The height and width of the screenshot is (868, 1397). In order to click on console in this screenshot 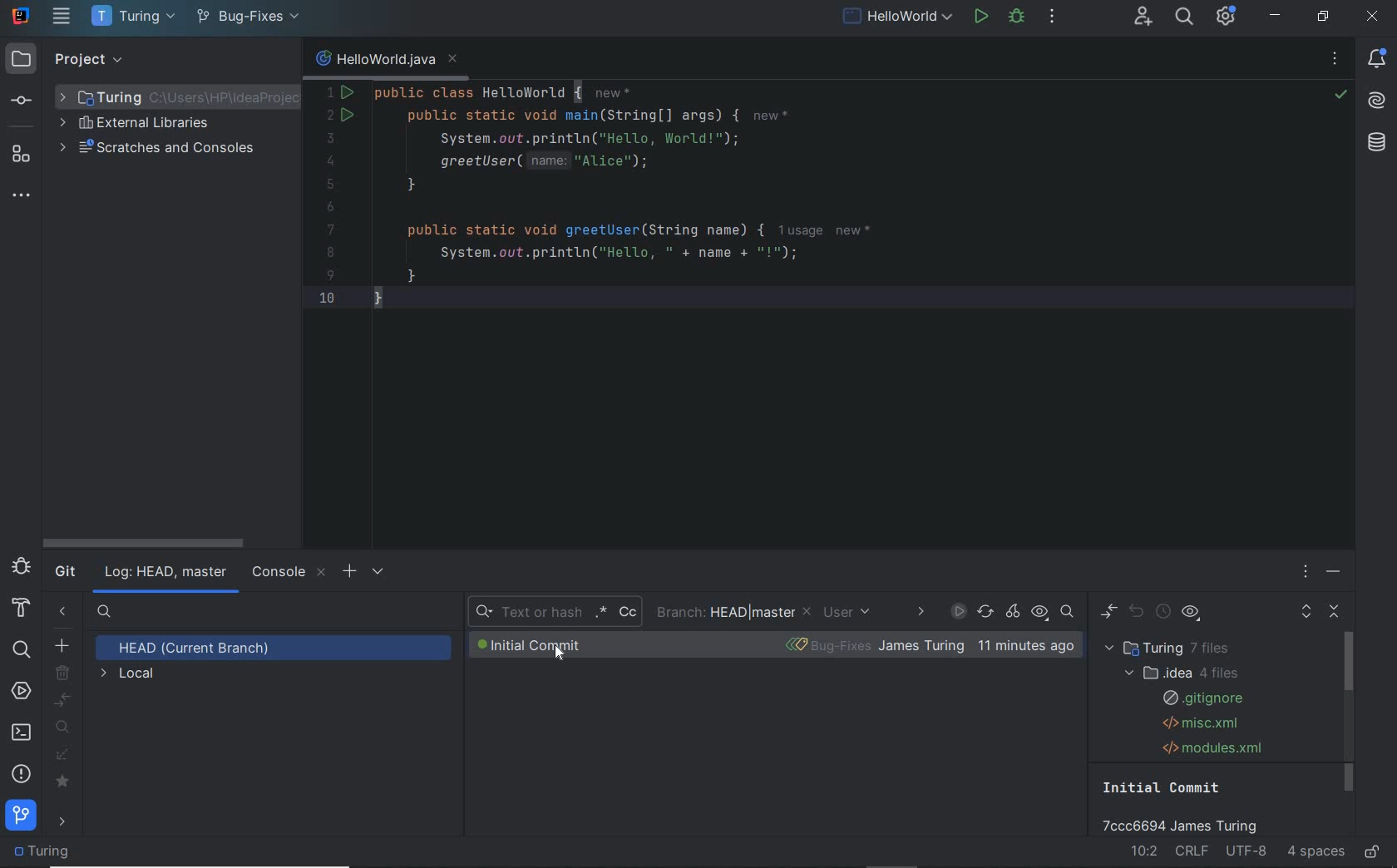, I will do `click(288, 573)`.